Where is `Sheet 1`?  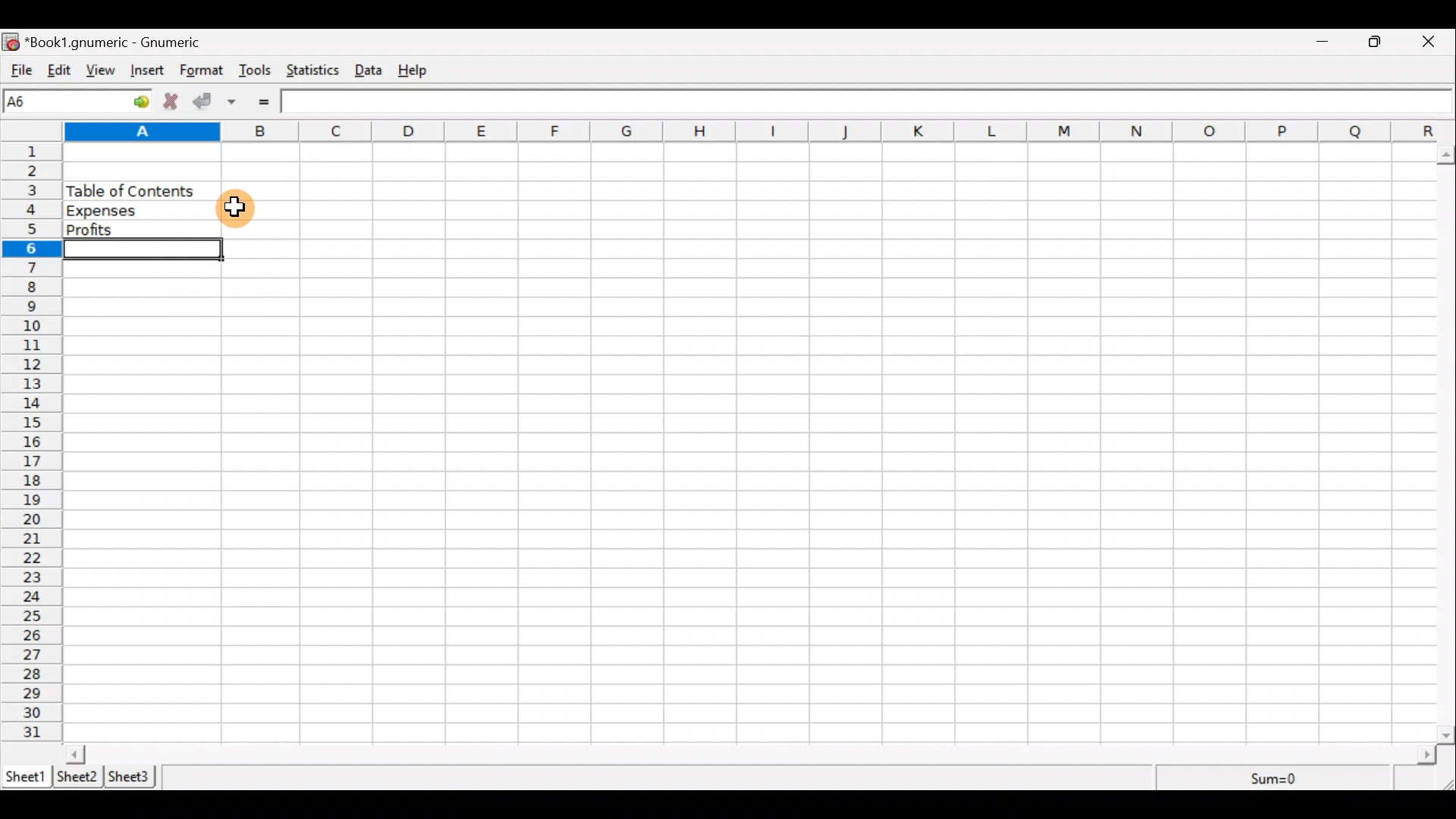
Sheet 1 is located at coordinates (26, 775).